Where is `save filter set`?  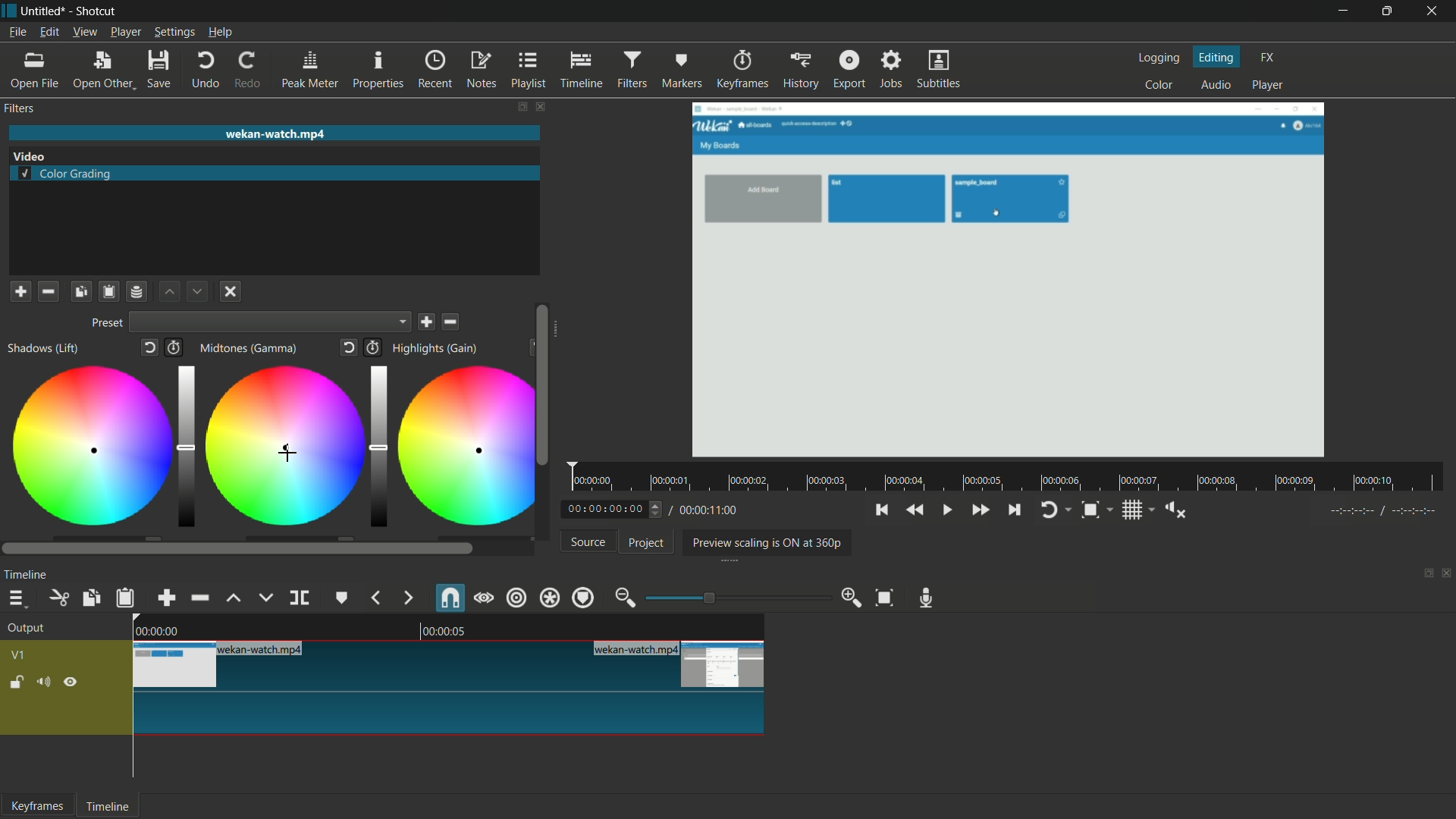 save filter set is located at coordinates (139, 292).